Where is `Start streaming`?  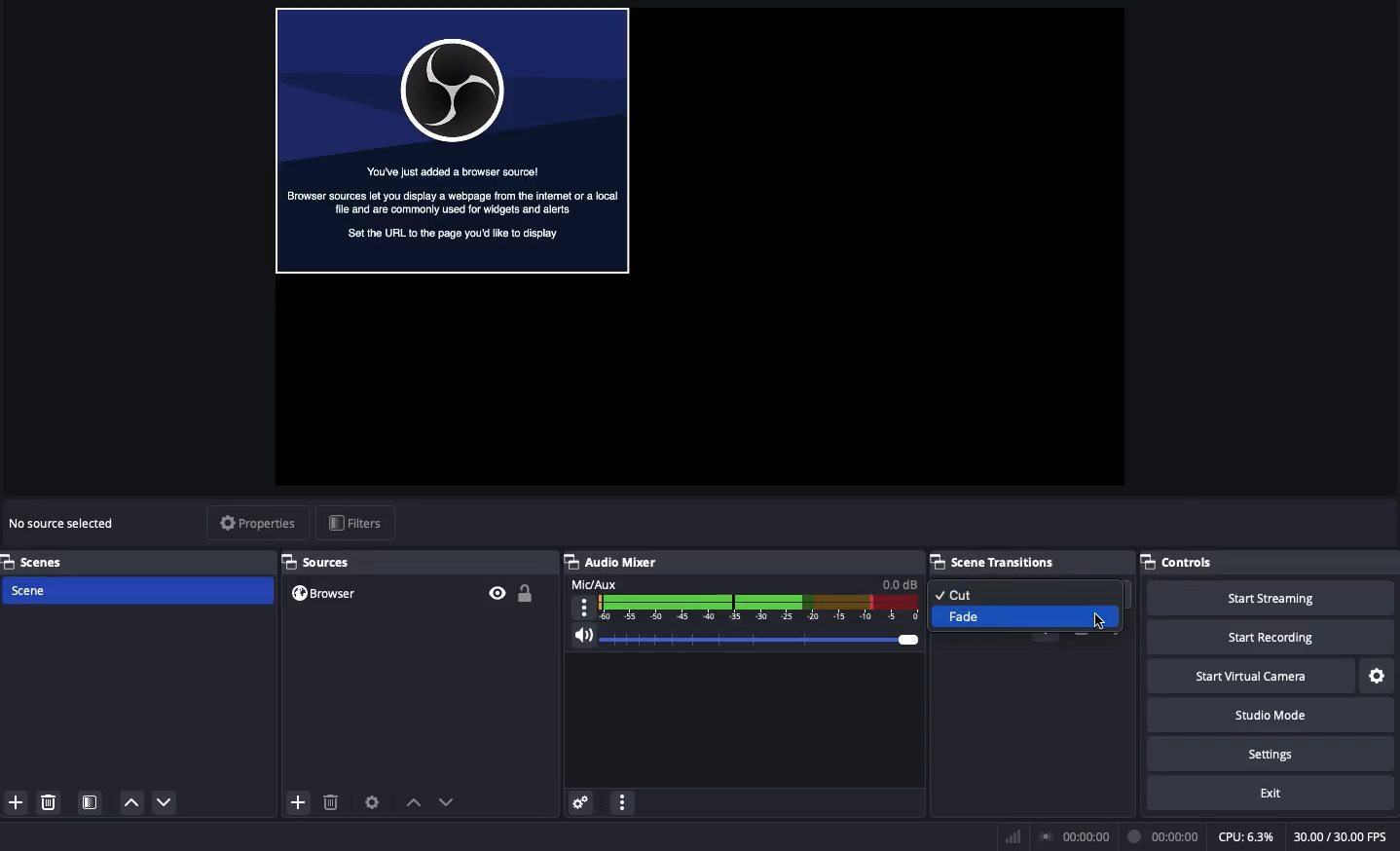 Start streaming is located at coordinates (1266, 597).